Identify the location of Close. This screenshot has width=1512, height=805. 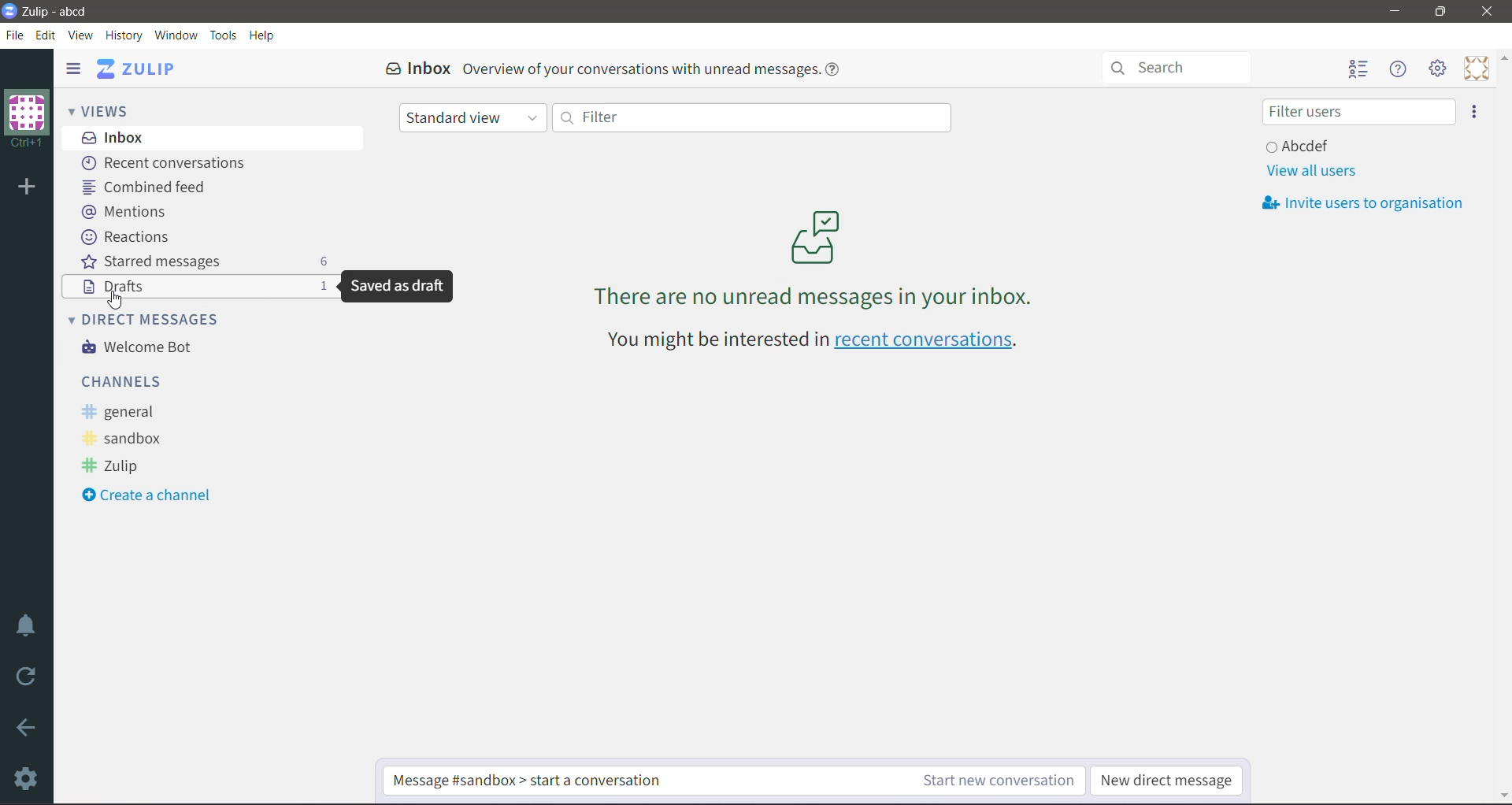
(1489, 12).